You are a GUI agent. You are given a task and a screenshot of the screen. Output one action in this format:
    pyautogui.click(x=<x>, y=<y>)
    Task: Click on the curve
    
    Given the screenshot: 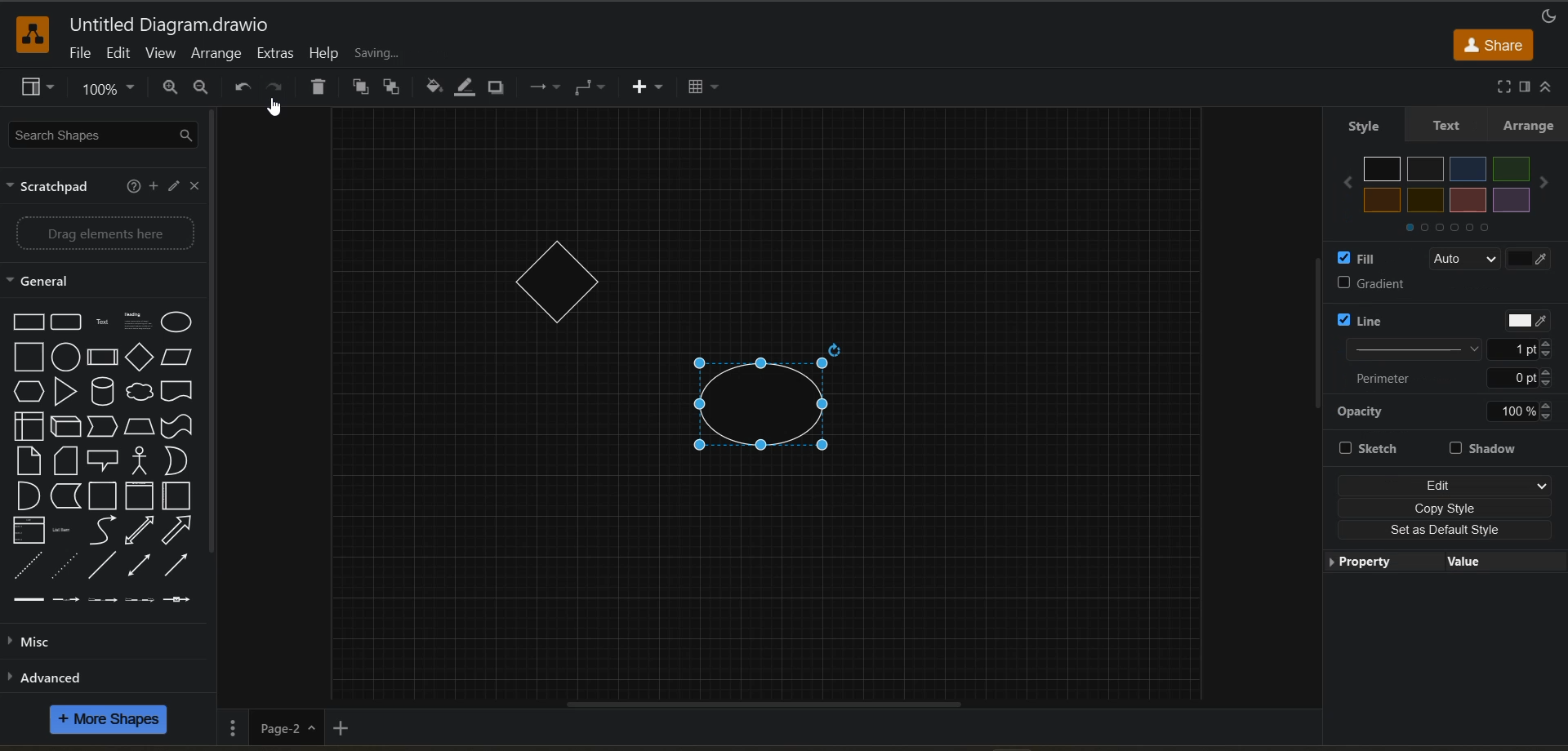 What is the action you would take?
    pyautogui.click(x=101, y=533)
    